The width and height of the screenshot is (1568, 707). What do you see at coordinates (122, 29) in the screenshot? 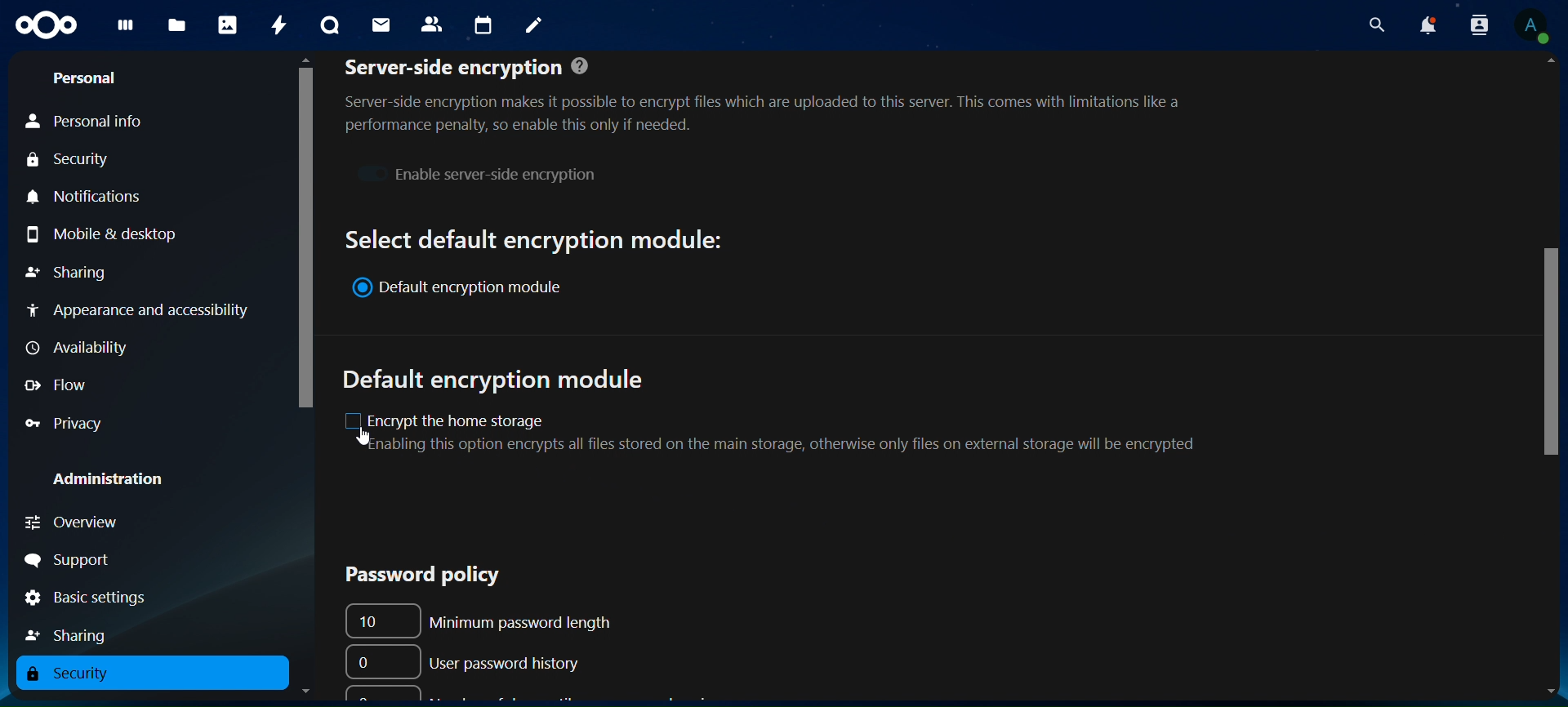
I see `dashboard` at bounding box center [122, 29].